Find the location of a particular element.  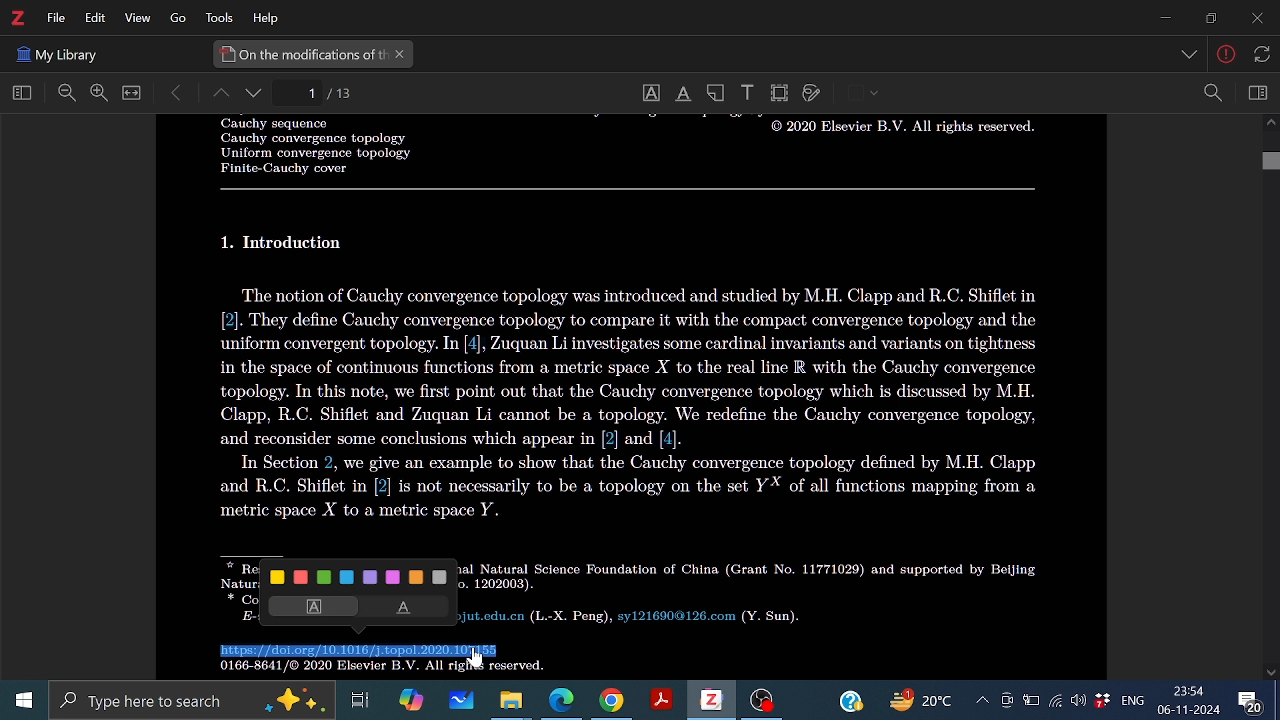

language is located at coordinates (1130, 699).